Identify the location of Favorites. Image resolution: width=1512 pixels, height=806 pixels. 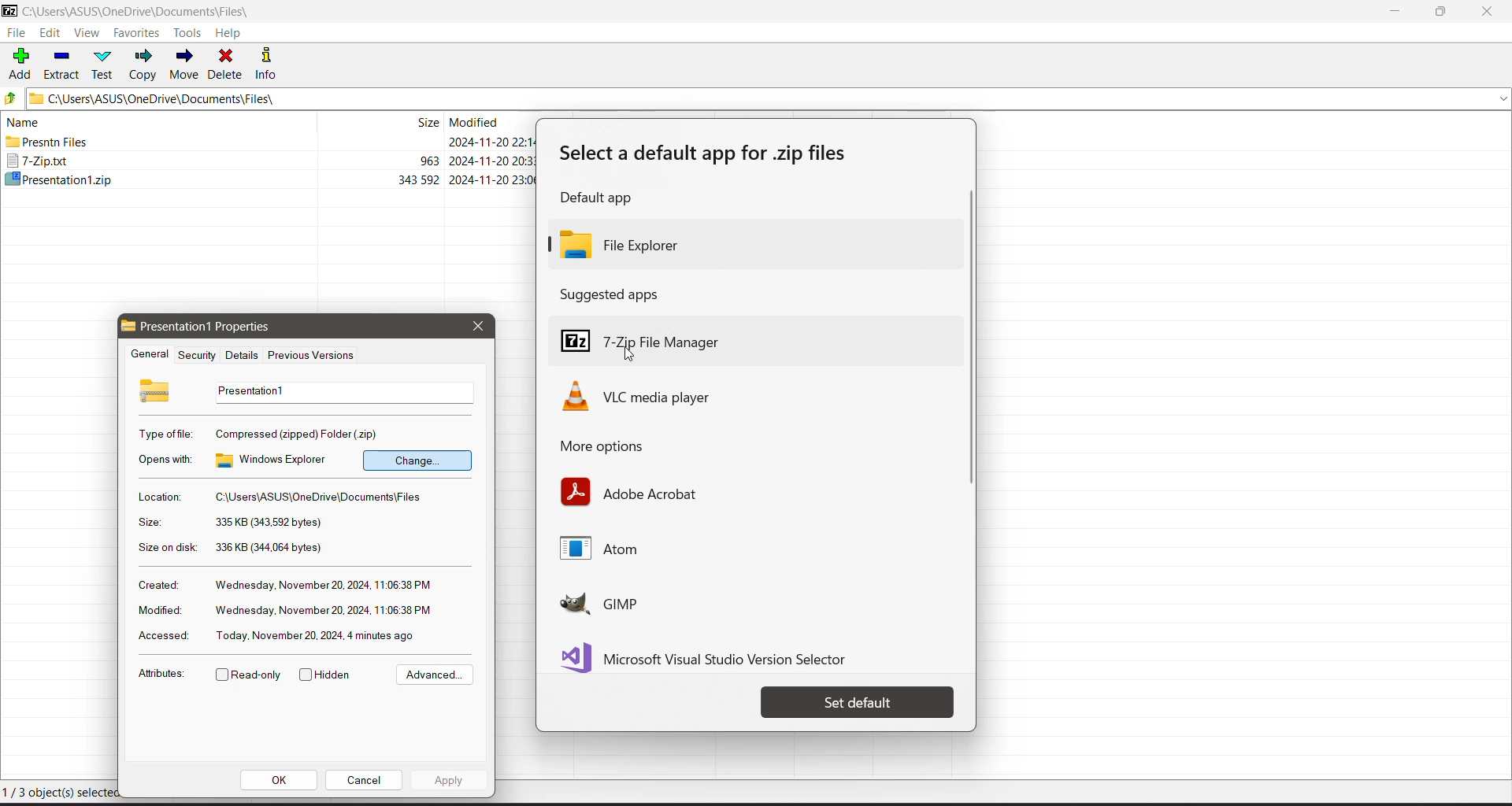
(137, 33).